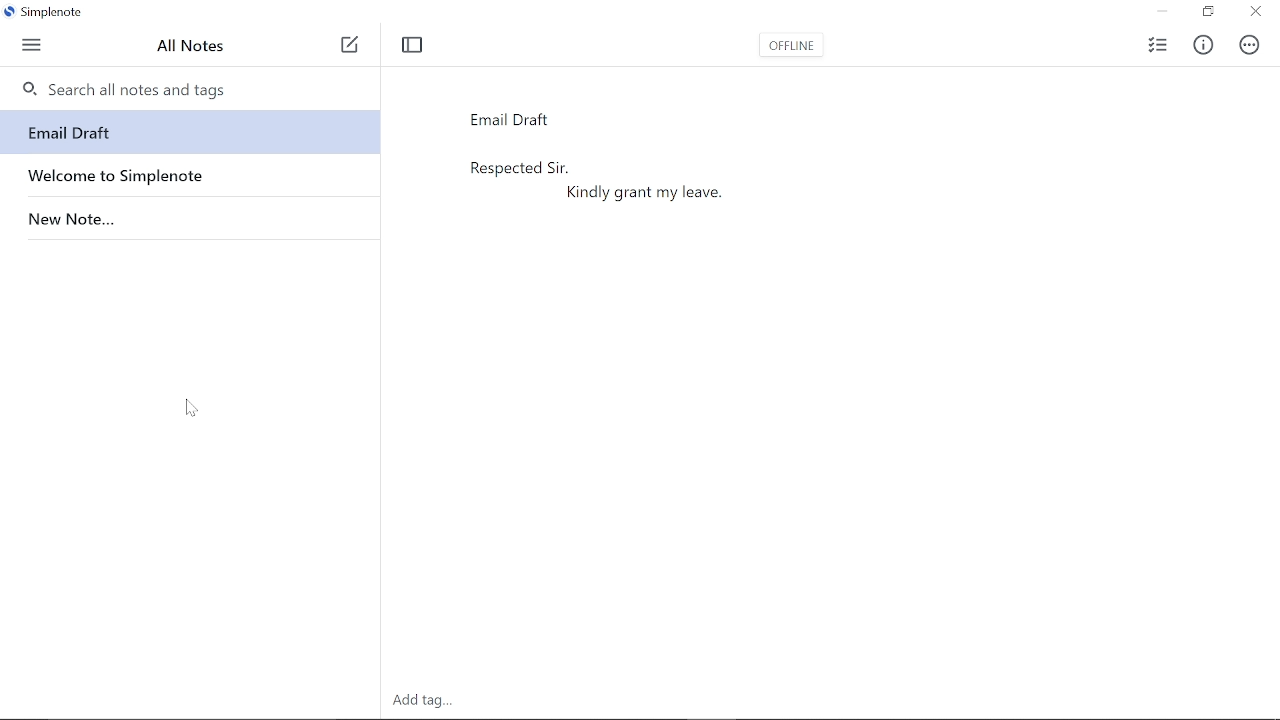 This screenshot has height=720, width=1280. Describe the element at coordinates (1254, 13) in the screenshot. I see `Close` at that location.